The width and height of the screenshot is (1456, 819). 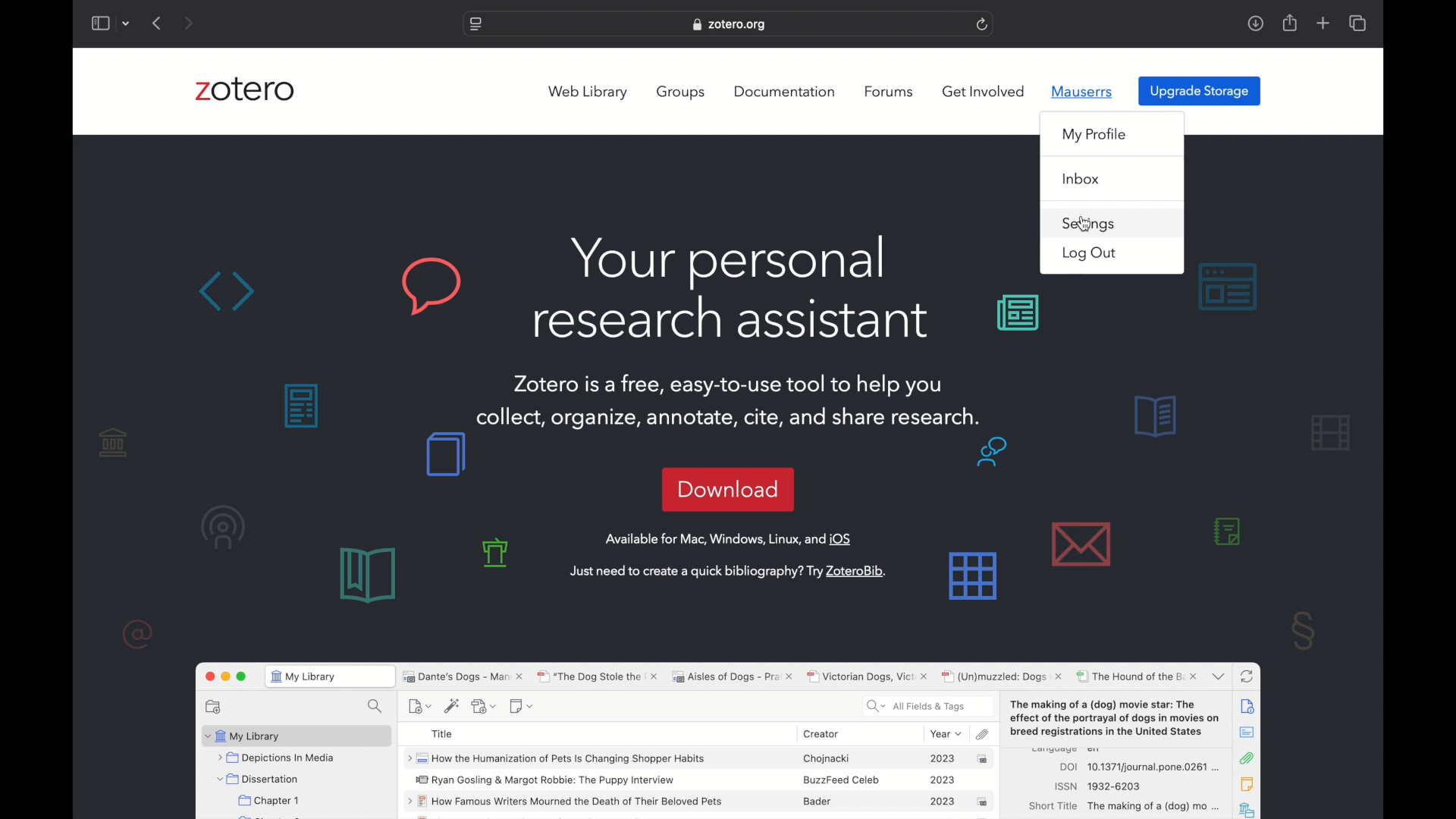 What do you see at coordinates (1020, 314) in the screenshot?
I see `background graphics` at bounding box center [1020, 314].